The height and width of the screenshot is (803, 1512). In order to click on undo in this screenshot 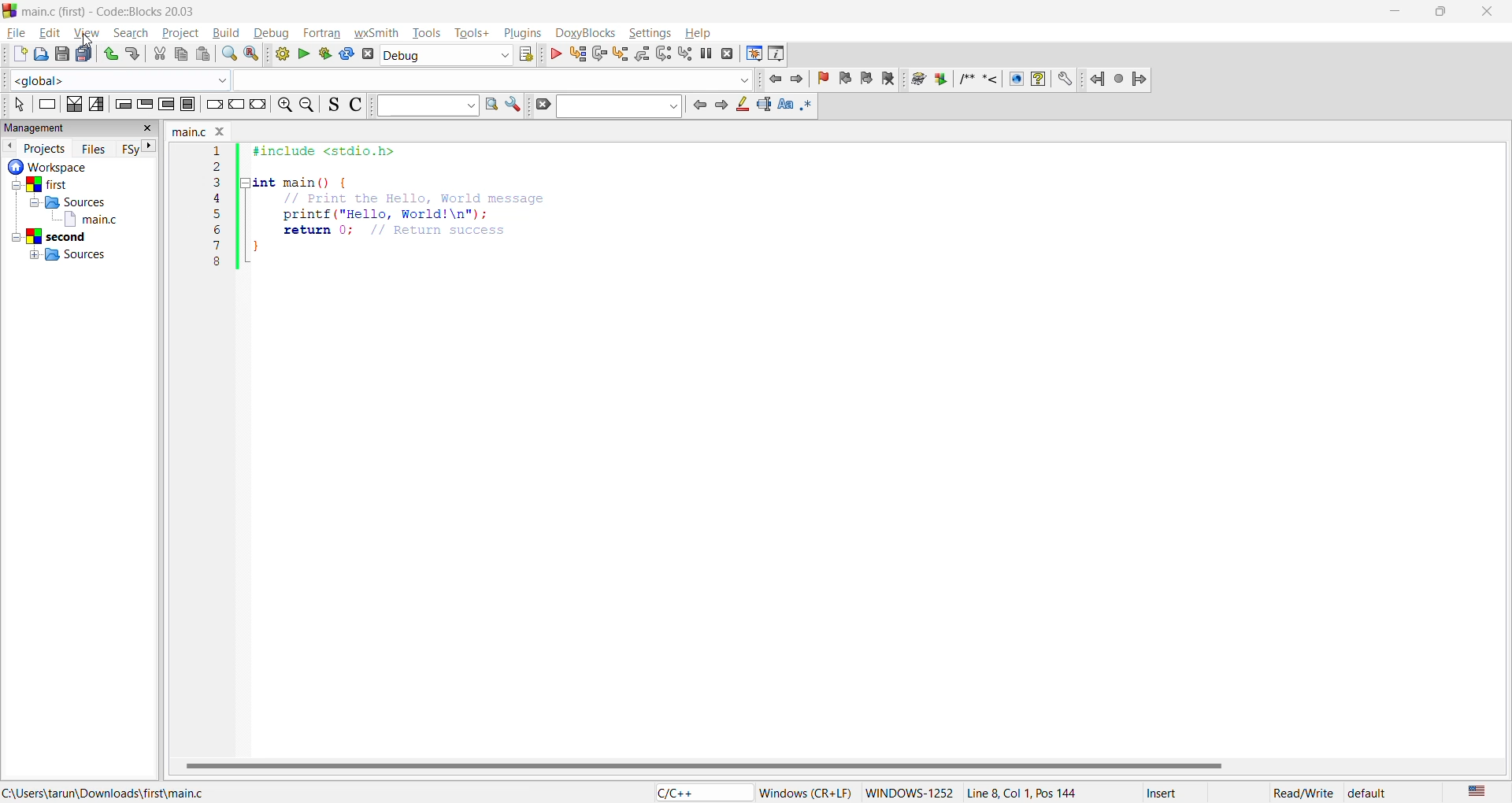, I will do `click(109, 54)`.